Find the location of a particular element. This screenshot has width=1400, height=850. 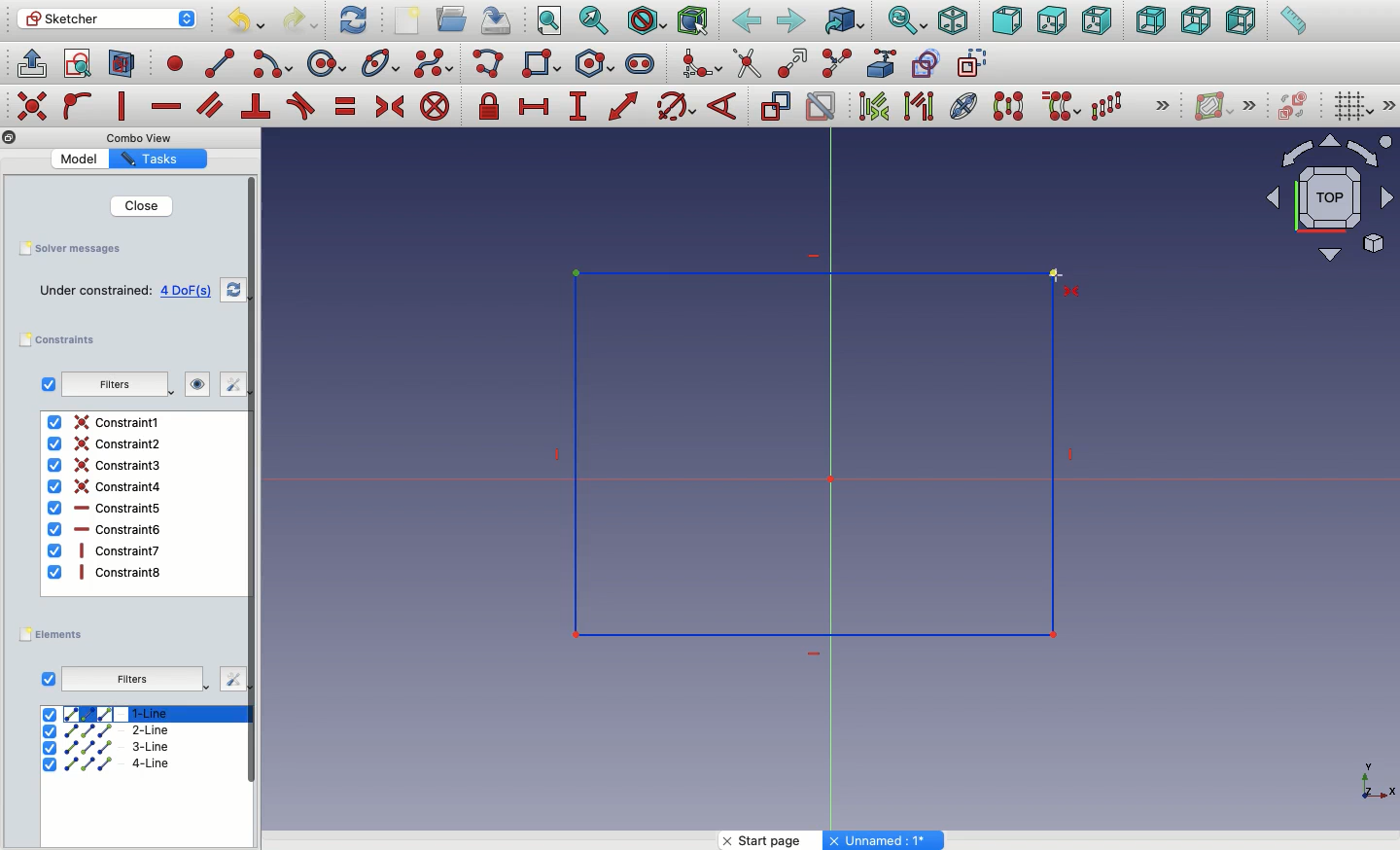

constrain circle  is located at coordinates (677, 105).